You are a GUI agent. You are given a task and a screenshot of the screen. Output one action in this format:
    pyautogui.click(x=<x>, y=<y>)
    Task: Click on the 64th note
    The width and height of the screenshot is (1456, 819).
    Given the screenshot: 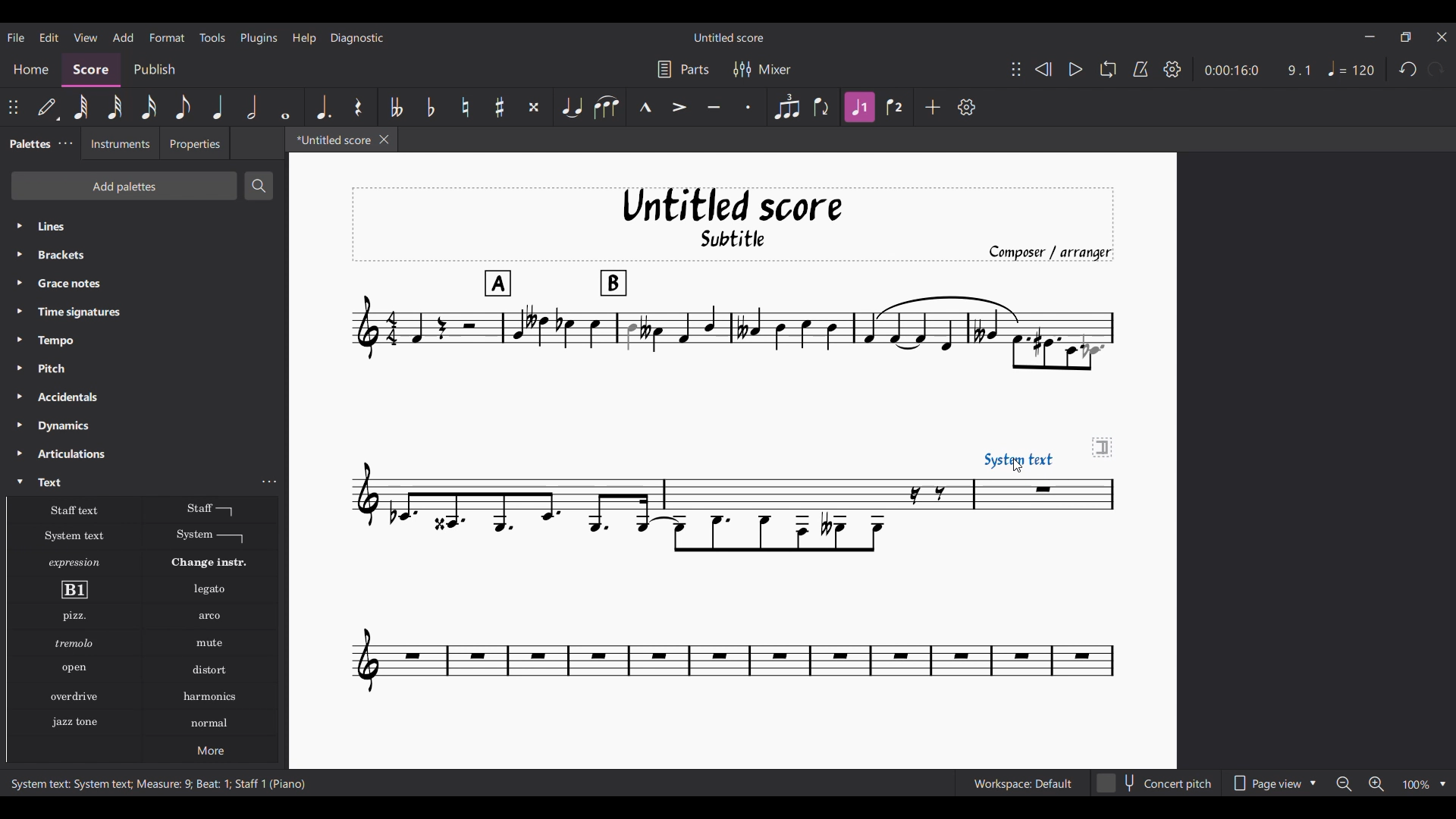 What is the action you would take?
    pyautogui.click(x=81, y=107)
    